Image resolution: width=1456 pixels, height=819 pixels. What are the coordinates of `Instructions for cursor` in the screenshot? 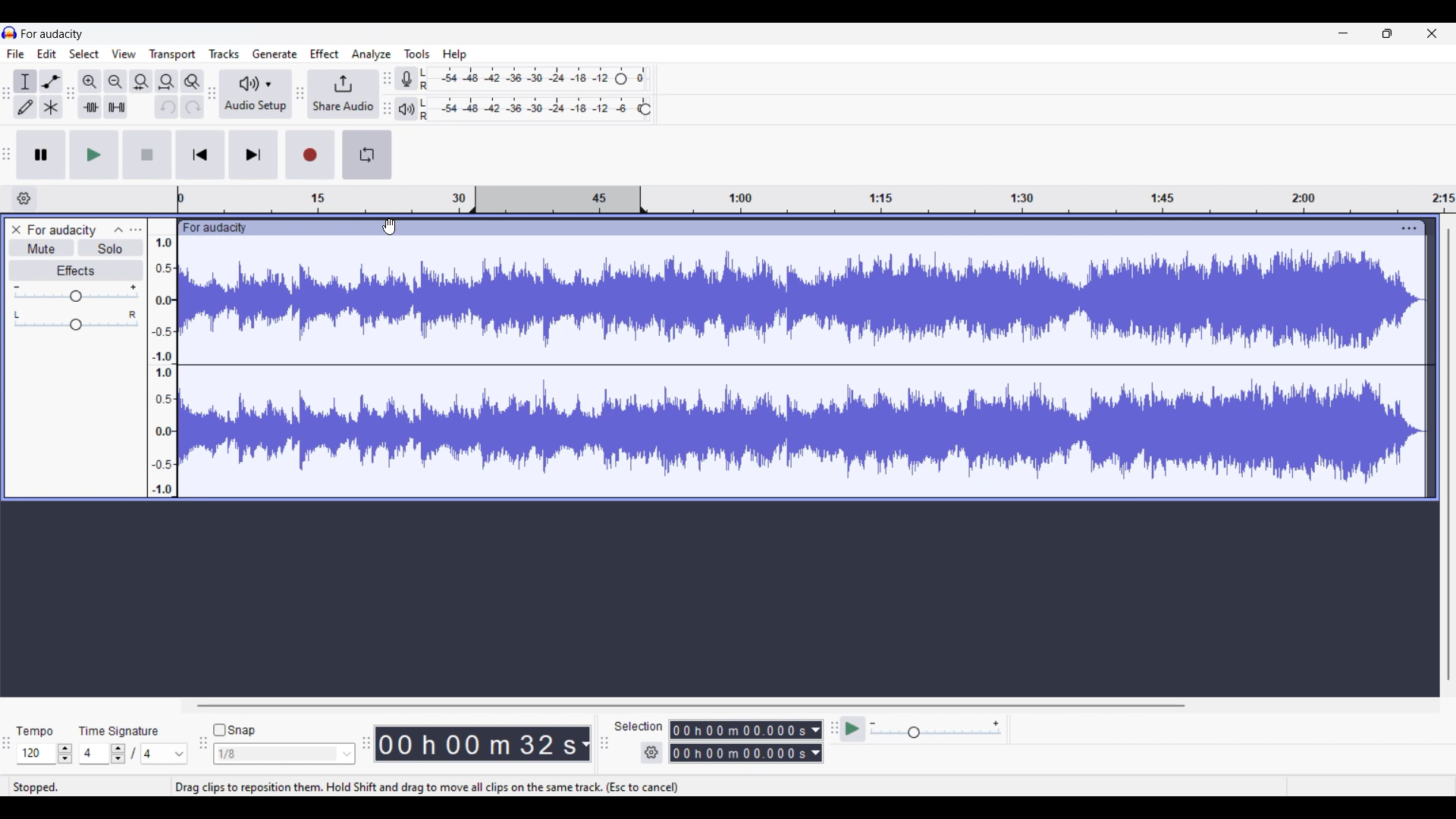 It's located at (426, 786).